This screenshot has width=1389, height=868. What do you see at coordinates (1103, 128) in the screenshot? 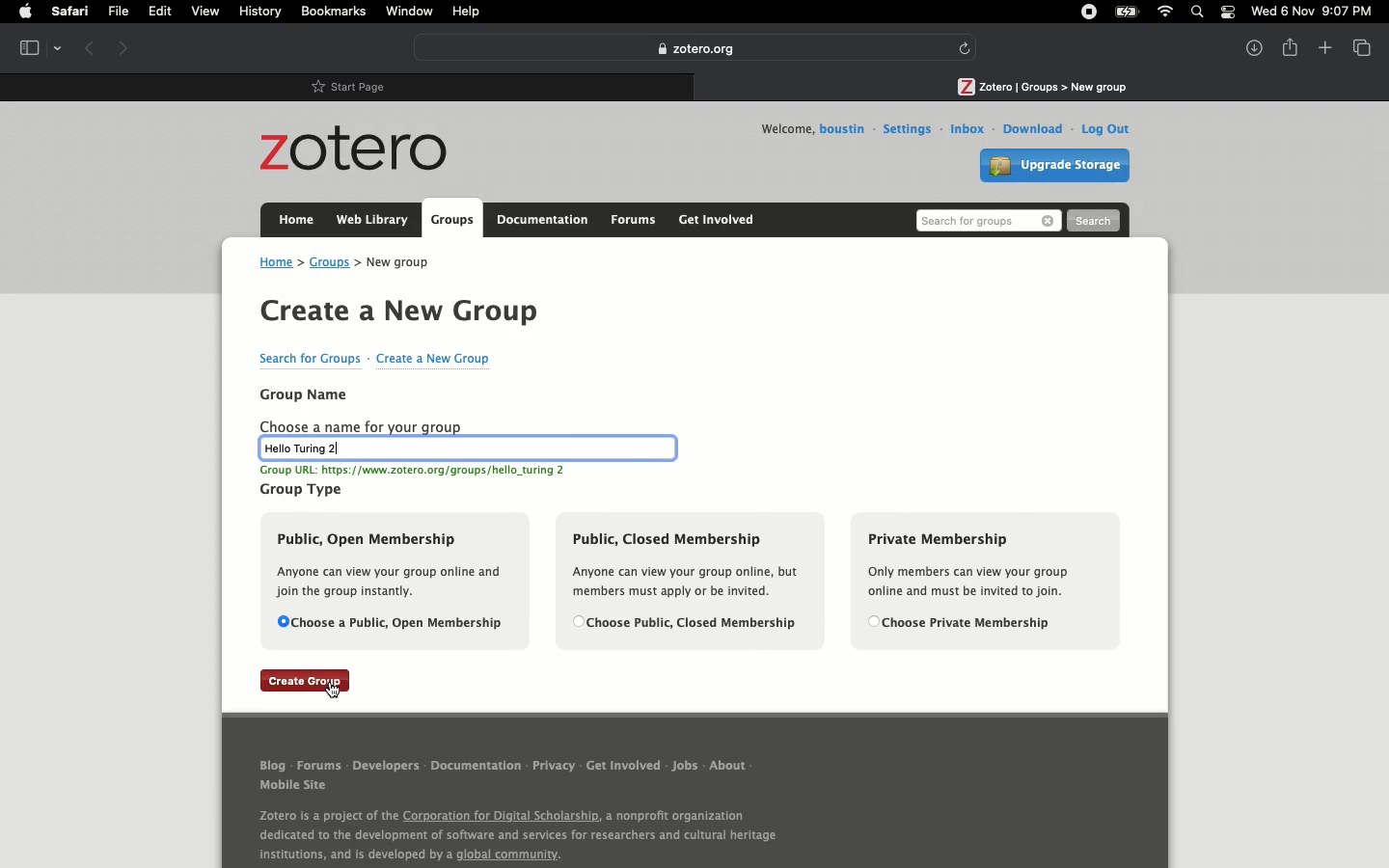
I see `Log out` at bounding box center [1103, 128].